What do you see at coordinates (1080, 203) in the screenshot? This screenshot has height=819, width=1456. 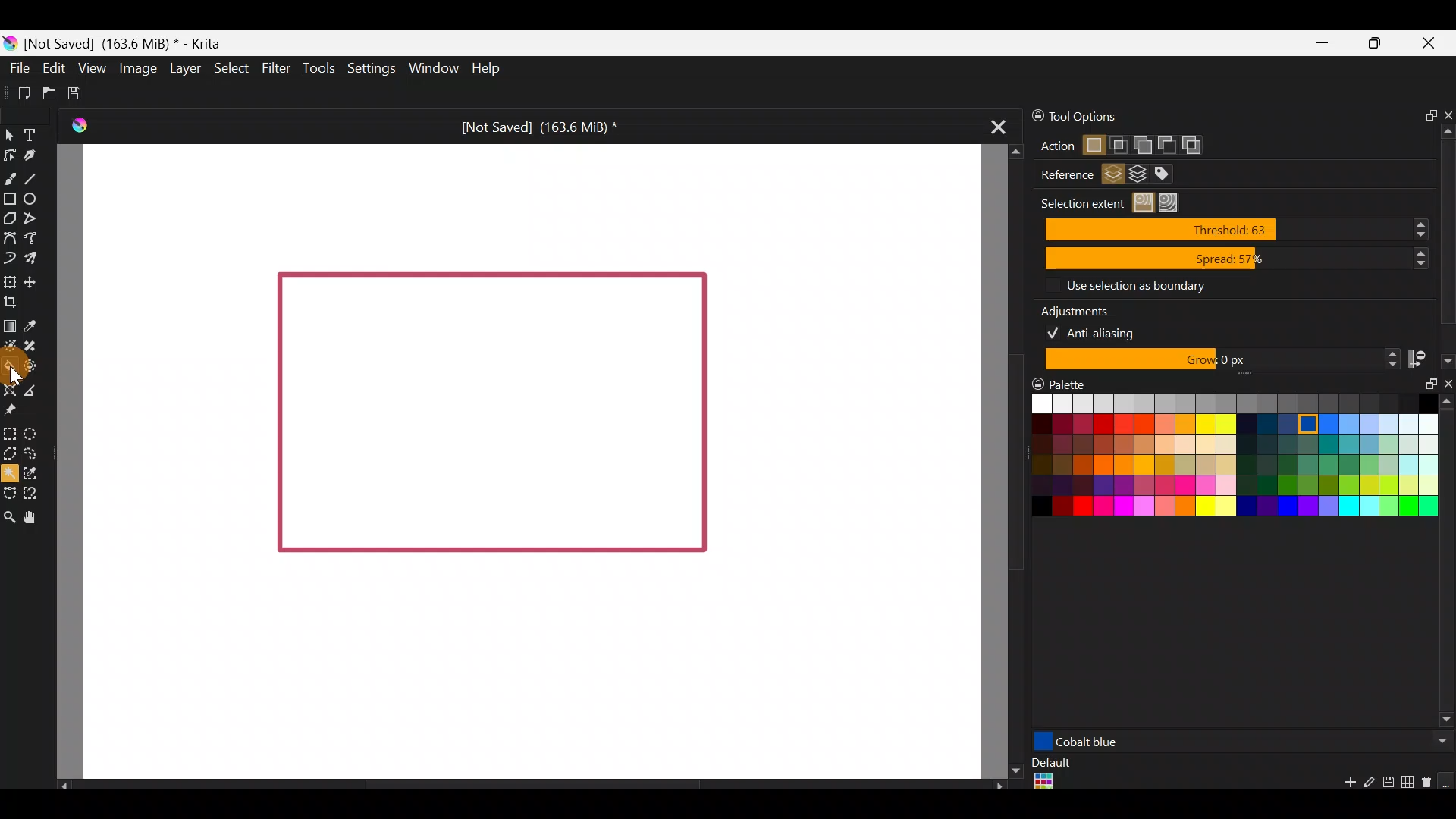 I see `Selection extent` at bounding box center [1080, 203].